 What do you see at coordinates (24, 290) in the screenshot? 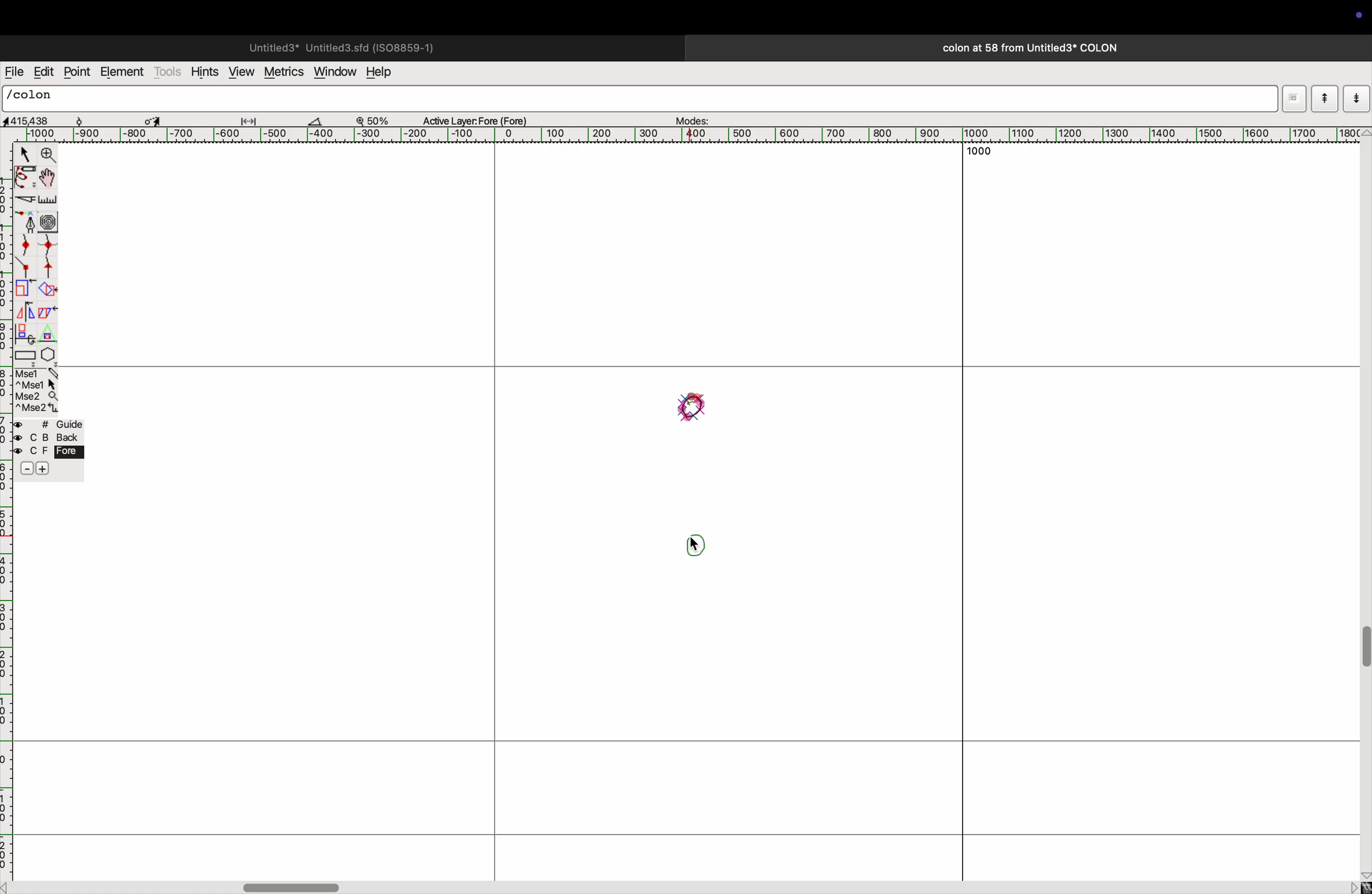
I see `minimize` at bounding box center [24, 290].